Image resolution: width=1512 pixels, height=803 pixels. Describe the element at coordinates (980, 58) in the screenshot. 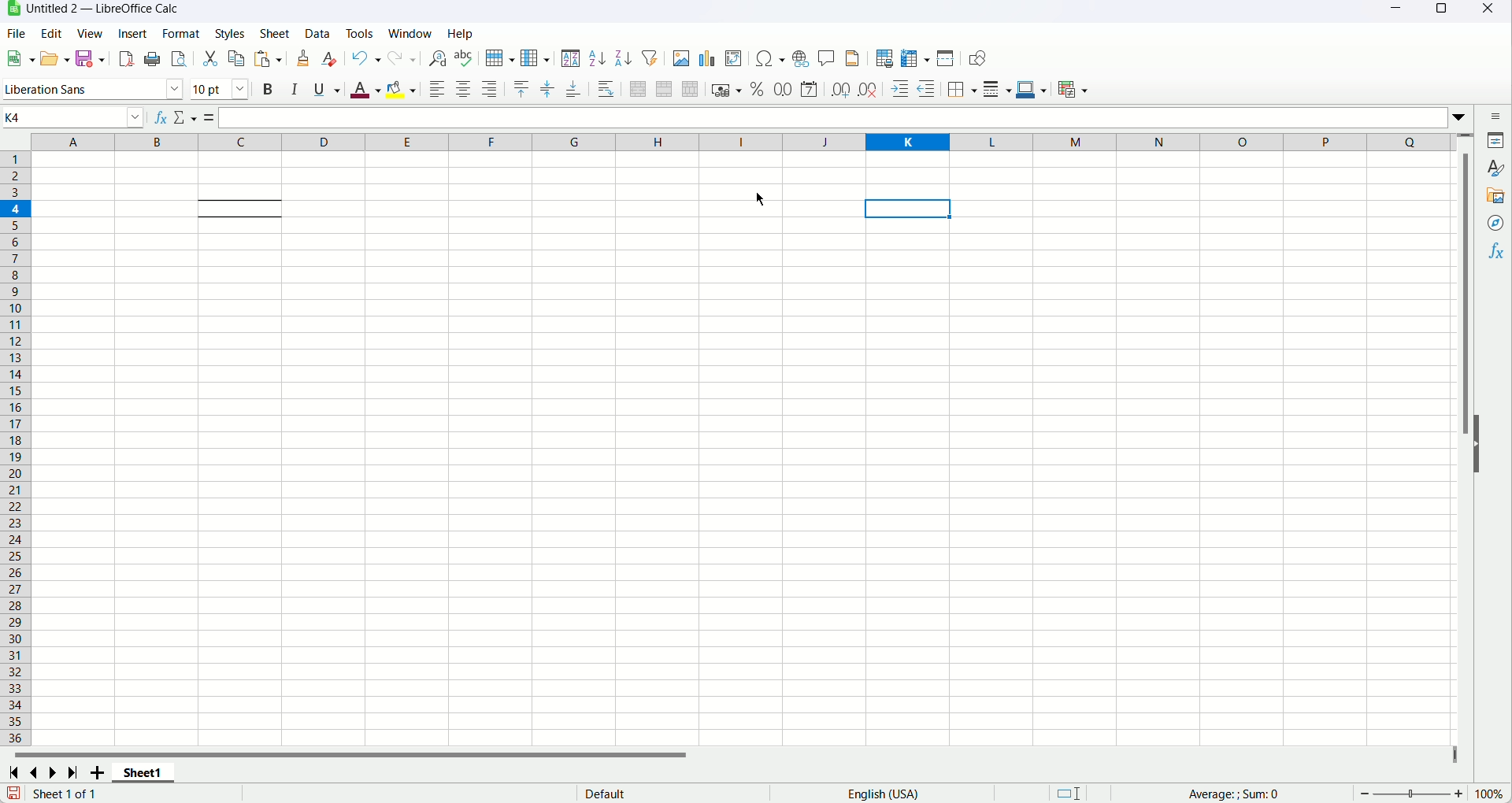

I see `Show draw functions` at that location.